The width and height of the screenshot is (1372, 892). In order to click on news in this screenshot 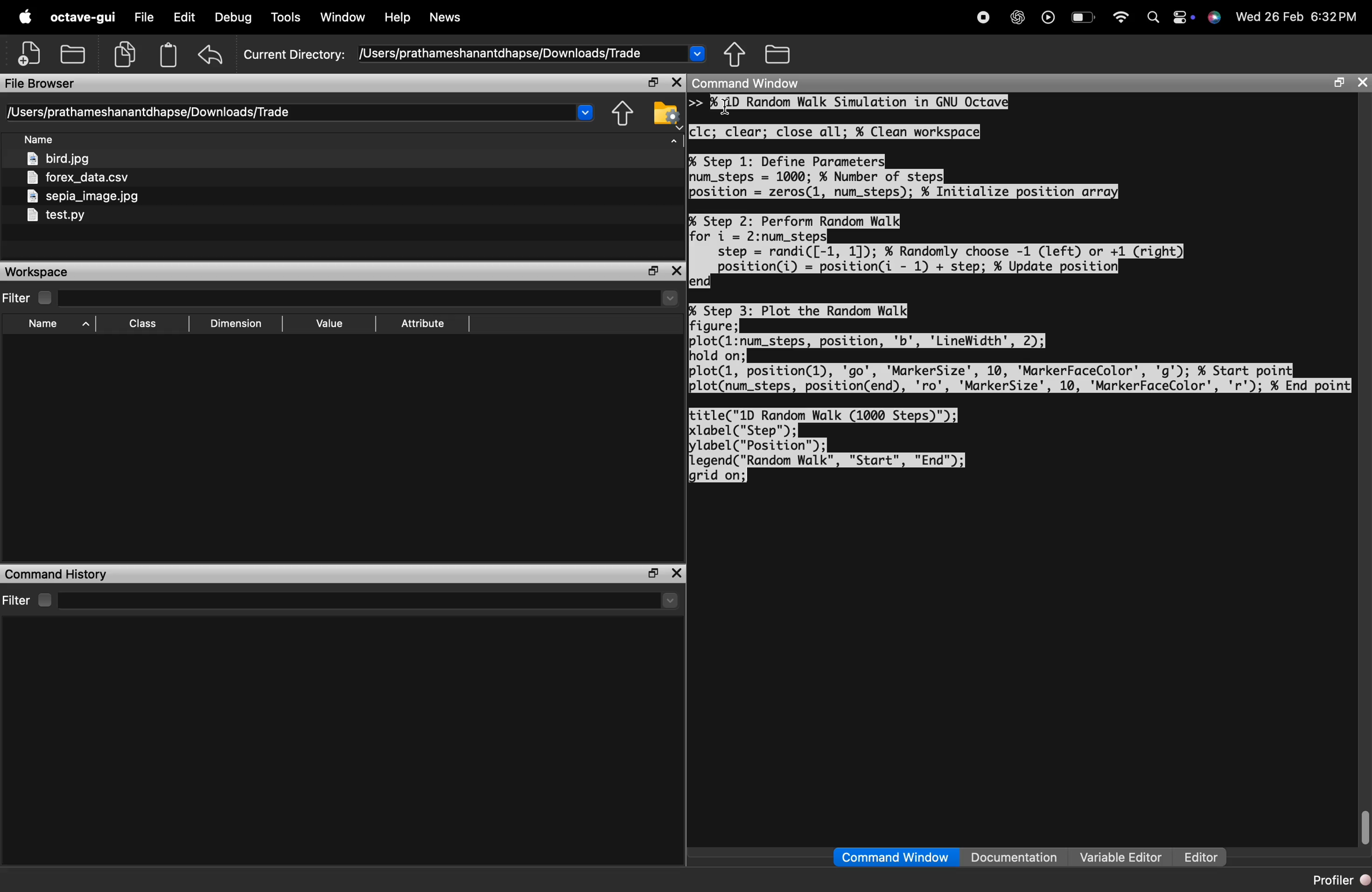, I will do `click(444, 18)`.